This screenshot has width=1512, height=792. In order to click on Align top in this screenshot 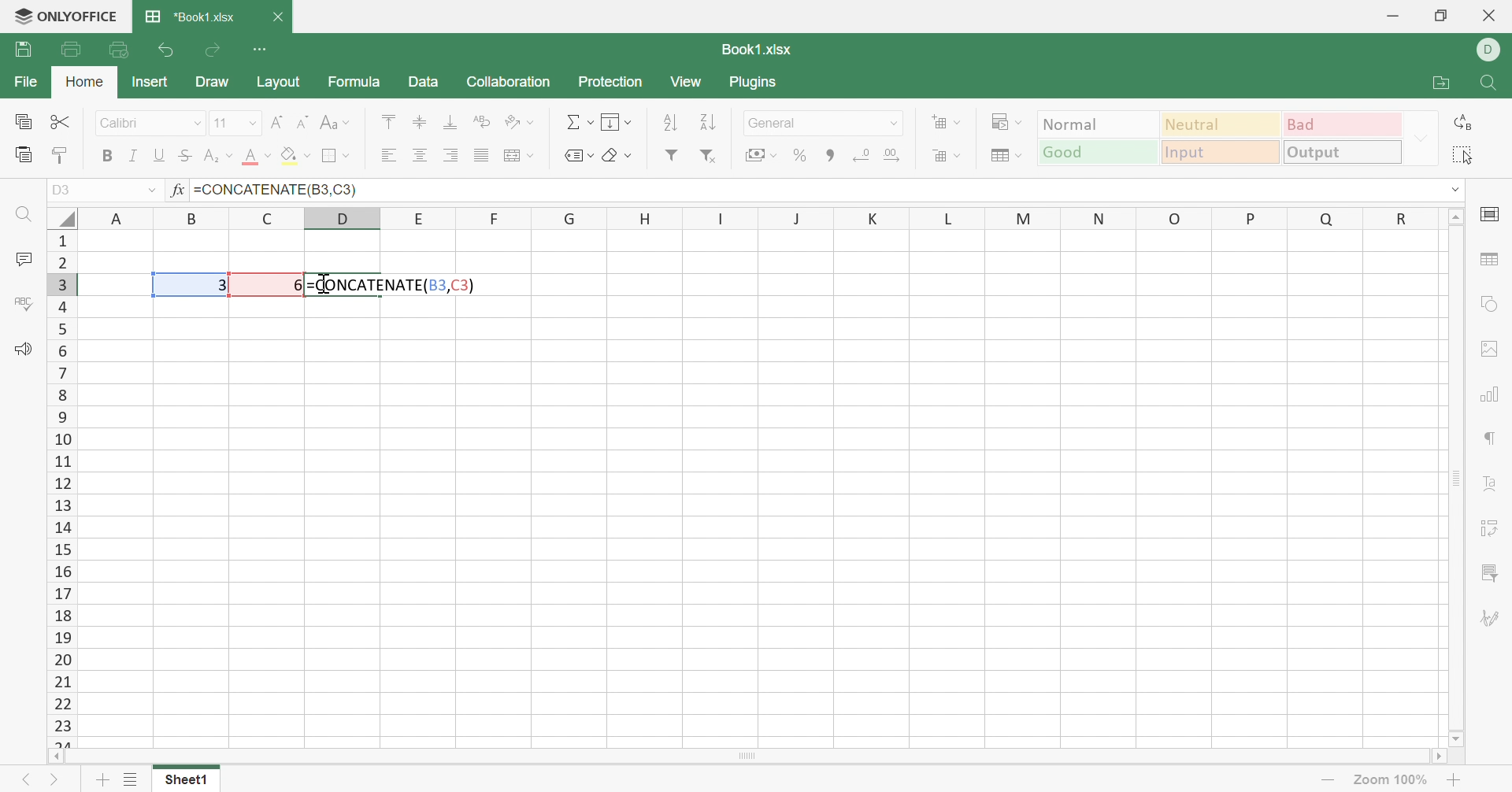, I will do `click(387, 121)`.